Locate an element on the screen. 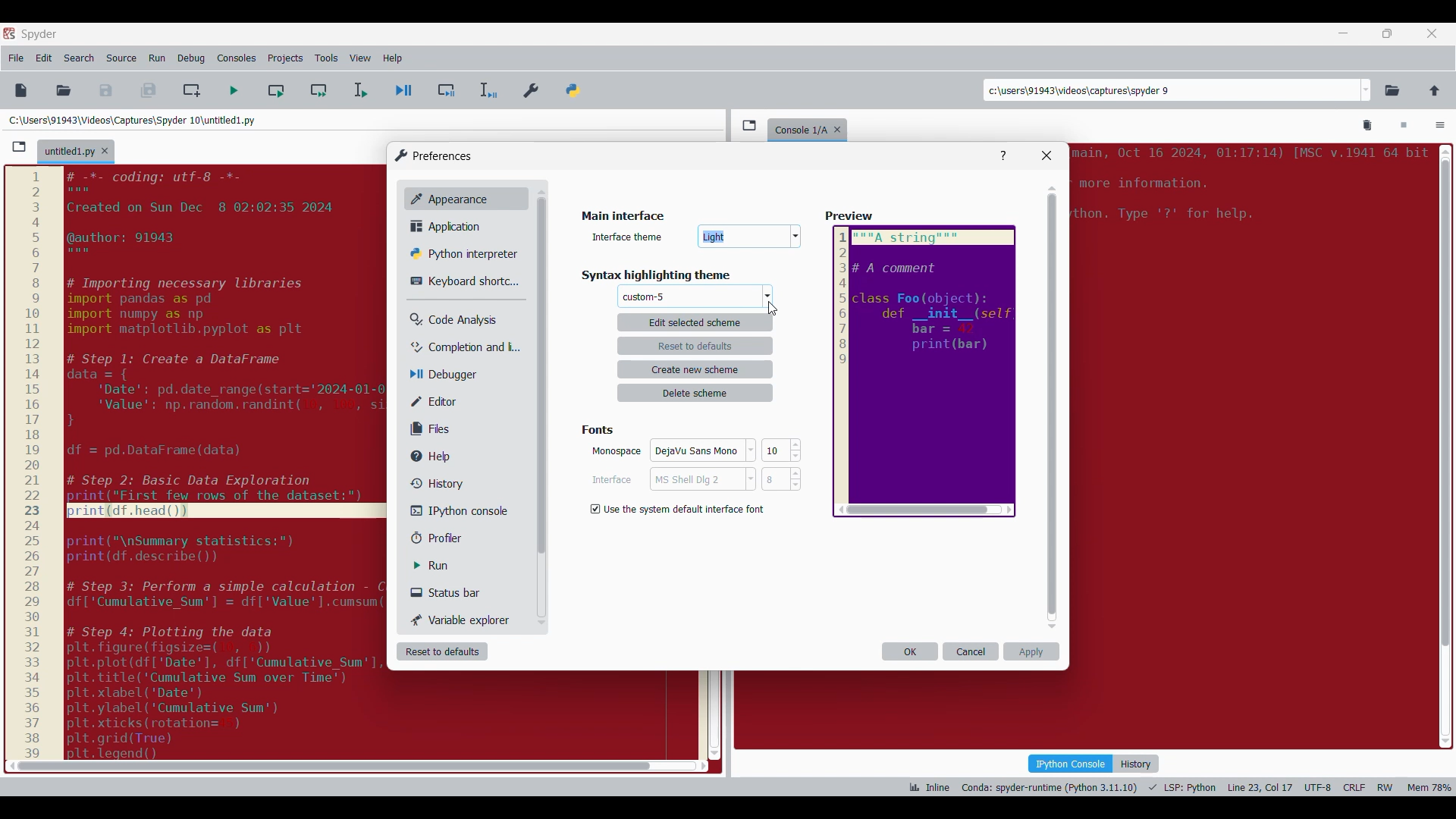  Browse a working directory is located at coordinates (1392, 90).